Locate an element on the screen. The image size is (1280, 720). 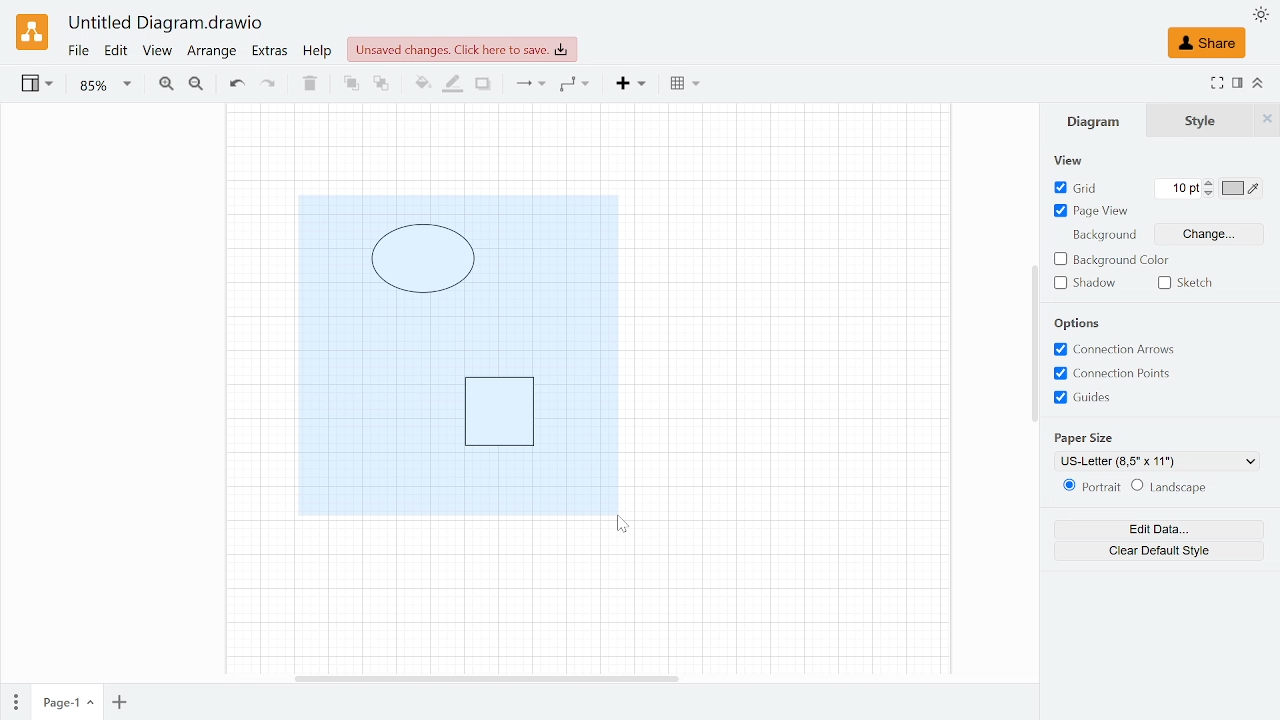
 is located at coordinates (1094, 123).